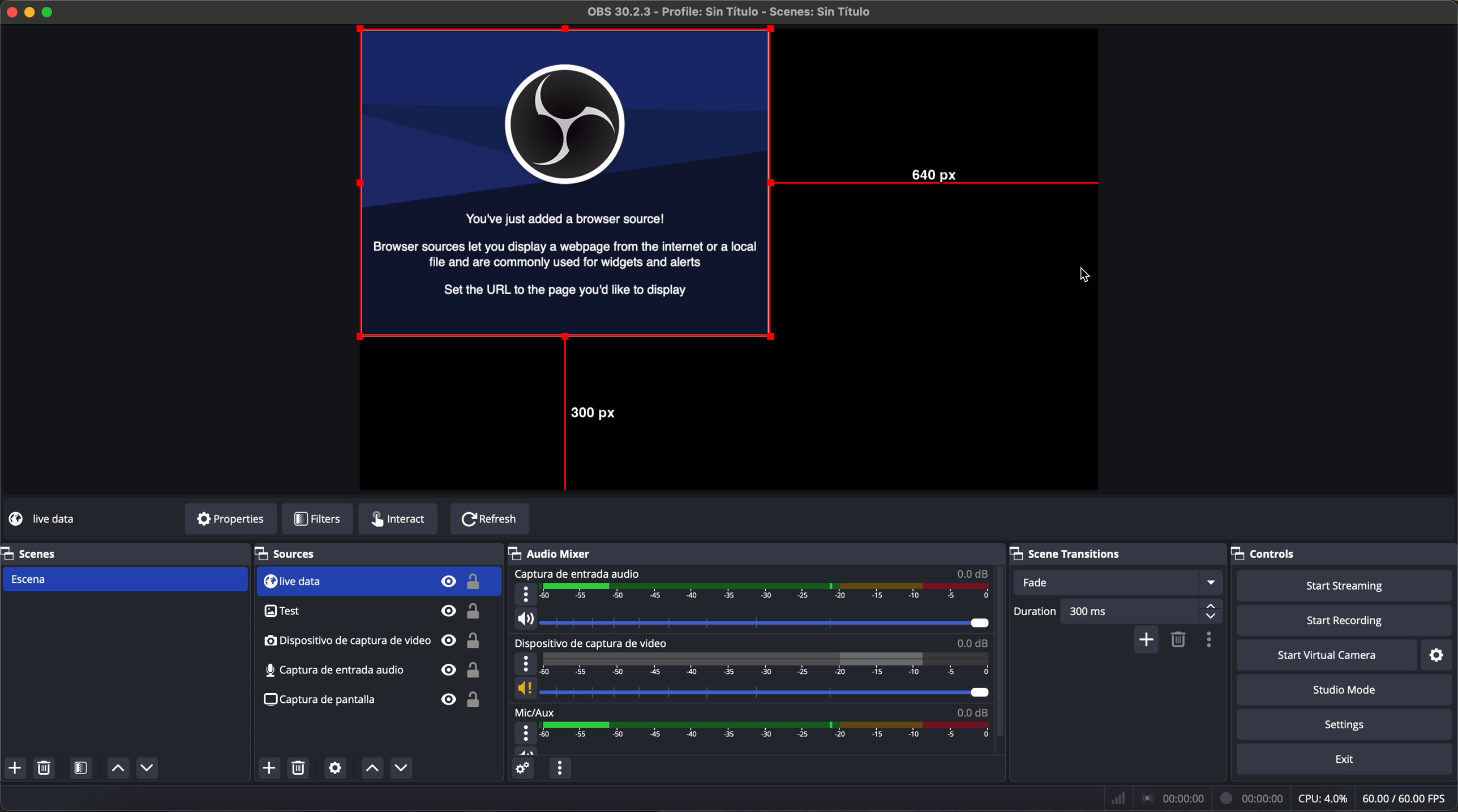 The height and width of the screenshot is (812, 1458). I want to click on minimize program, so click(29, 14).